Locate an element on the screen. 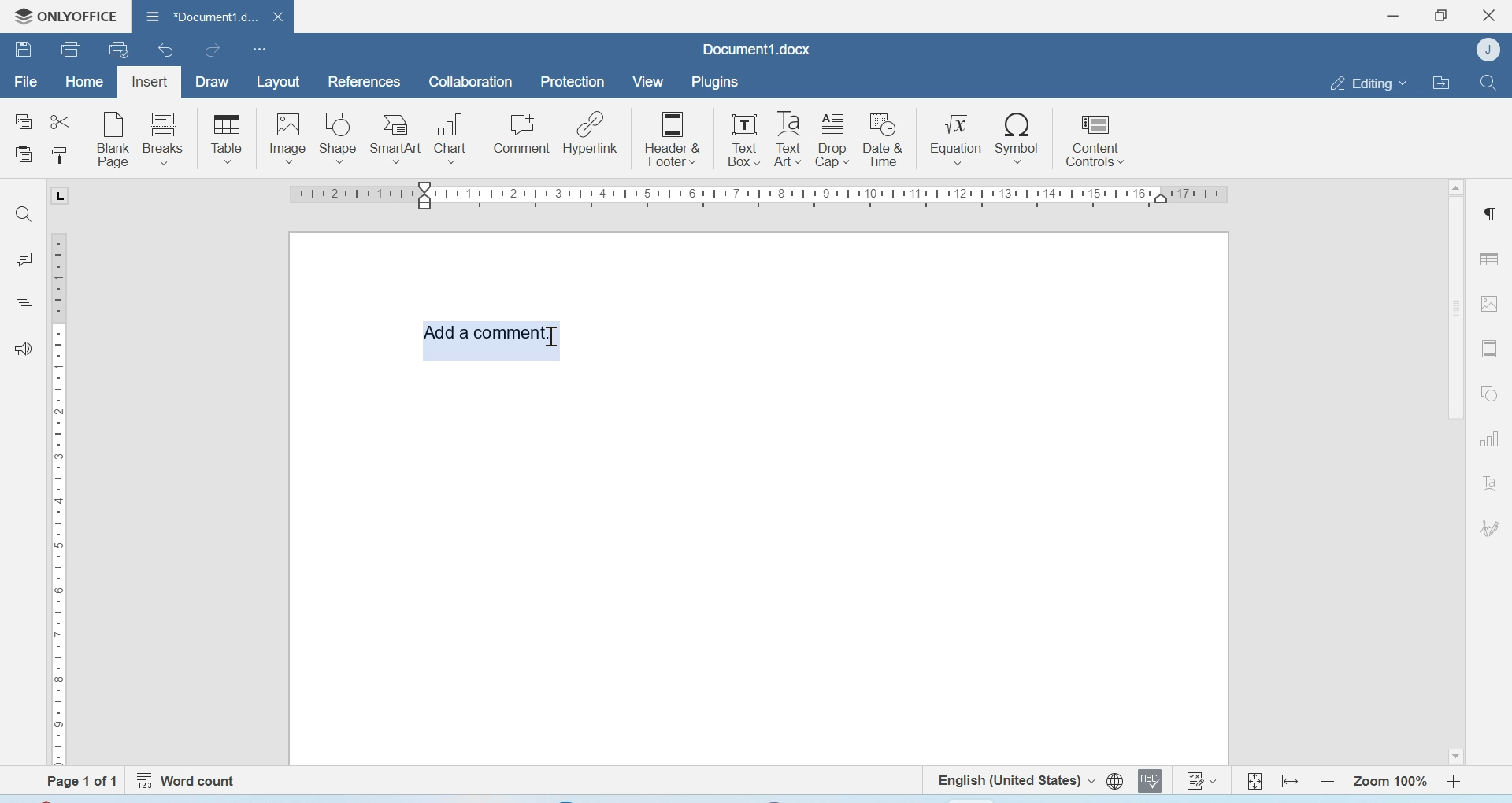 The width and height of the screenshot is (1512, 803). Page 1 of 1 is located at coordinates (70, 781).